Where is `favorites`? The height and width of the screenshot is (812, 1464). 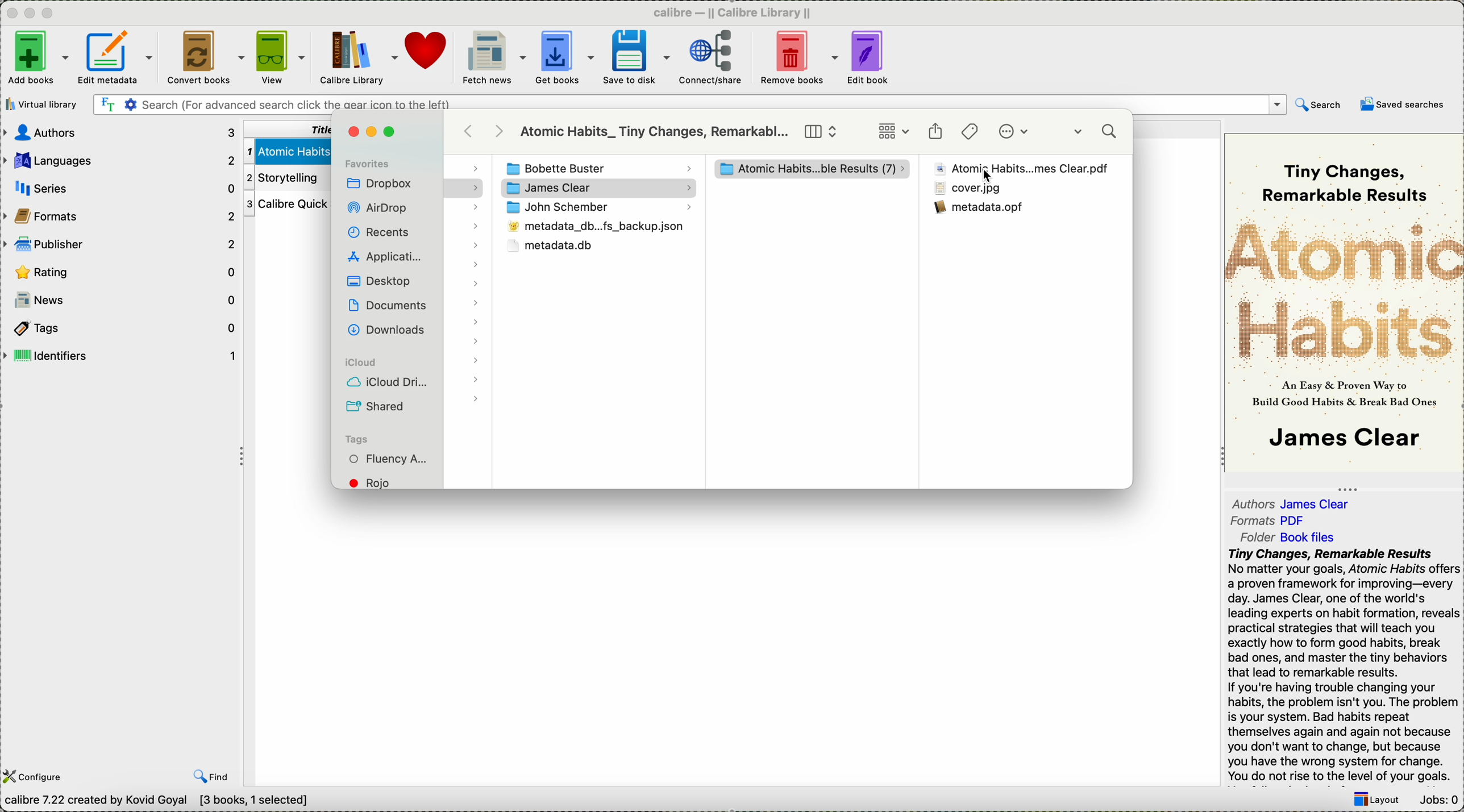
favorites is located at coordinates (367, 163).